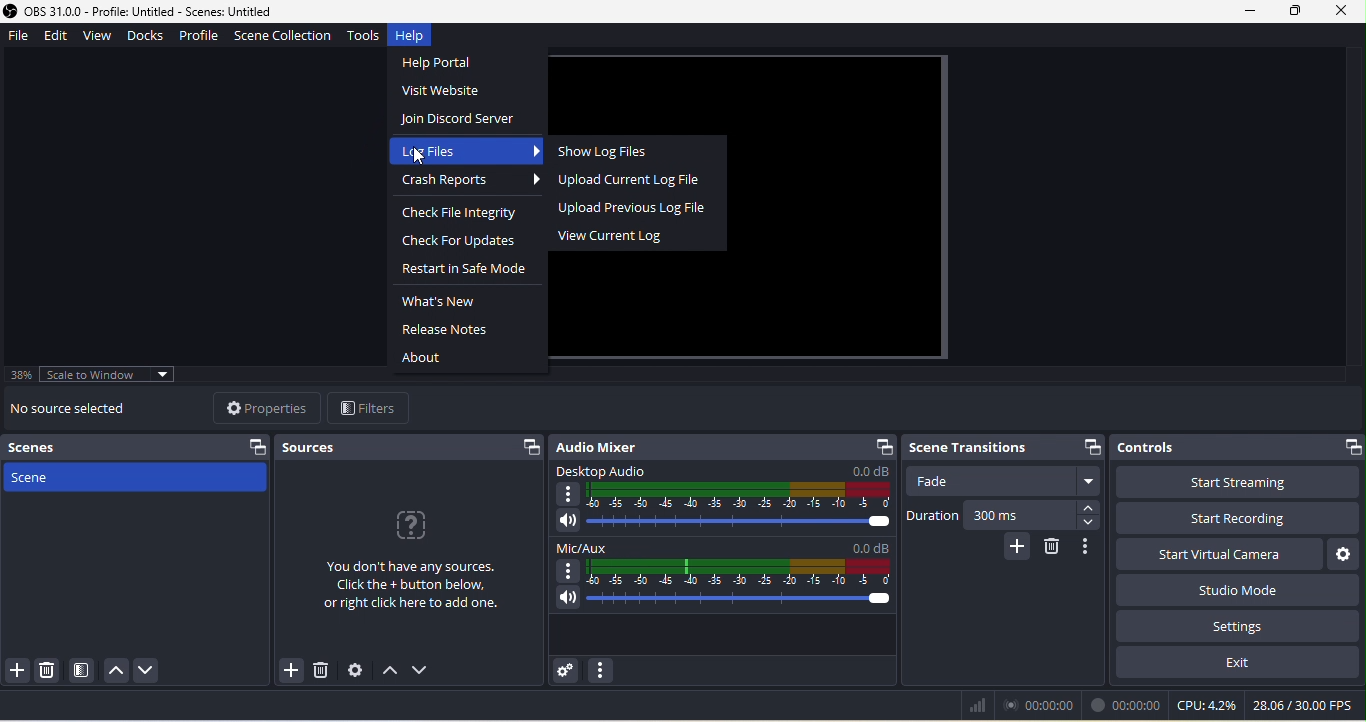  I want to click on Application logo and version details- OBS 31.0.0 - Profile: Untitled - Scenes: Untitled, so click(147, 11).